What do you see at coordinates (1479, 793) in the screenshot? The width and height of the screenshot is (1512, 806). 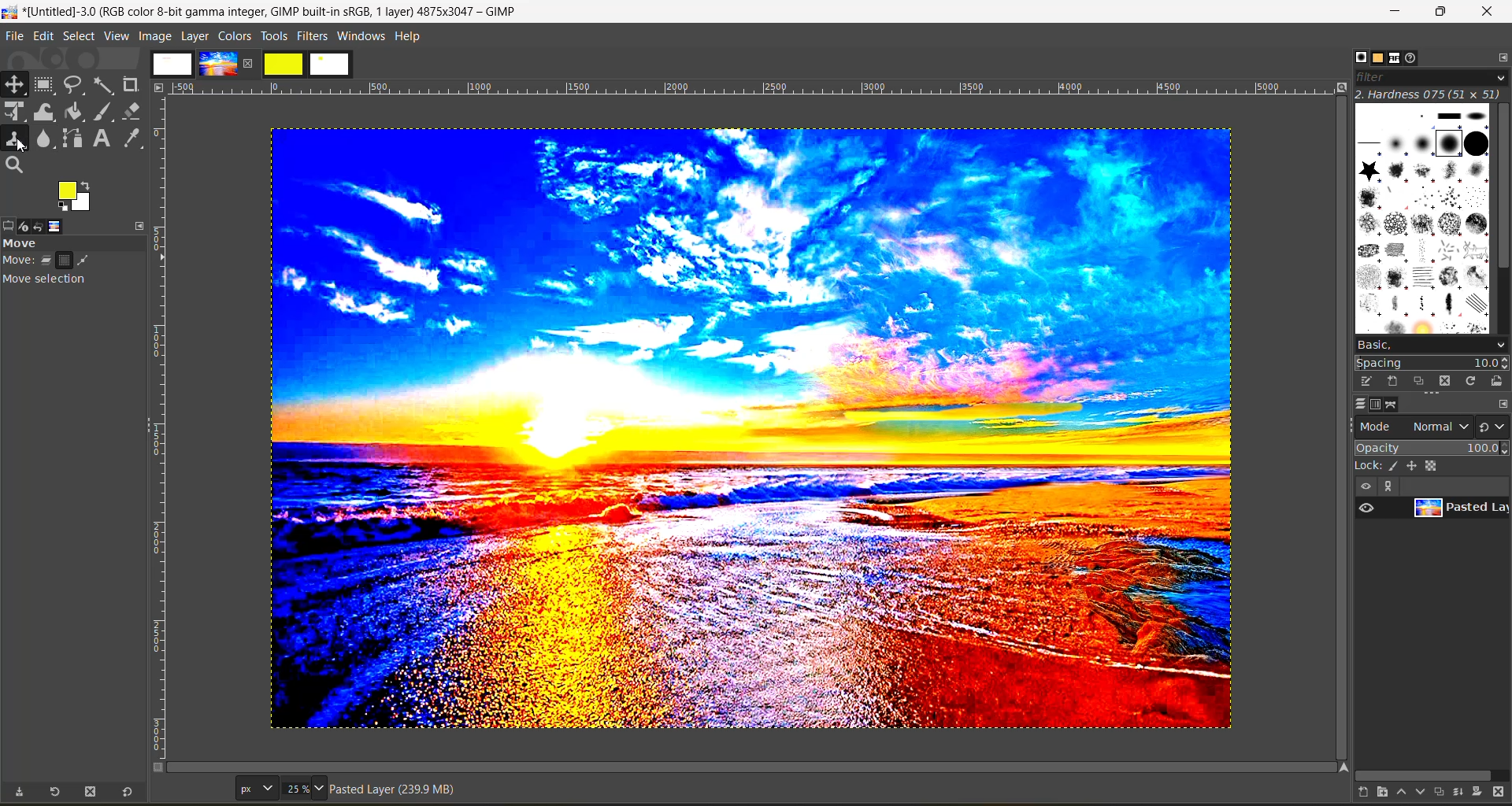 I see `add a mask` at bounding box center [1479, 793].